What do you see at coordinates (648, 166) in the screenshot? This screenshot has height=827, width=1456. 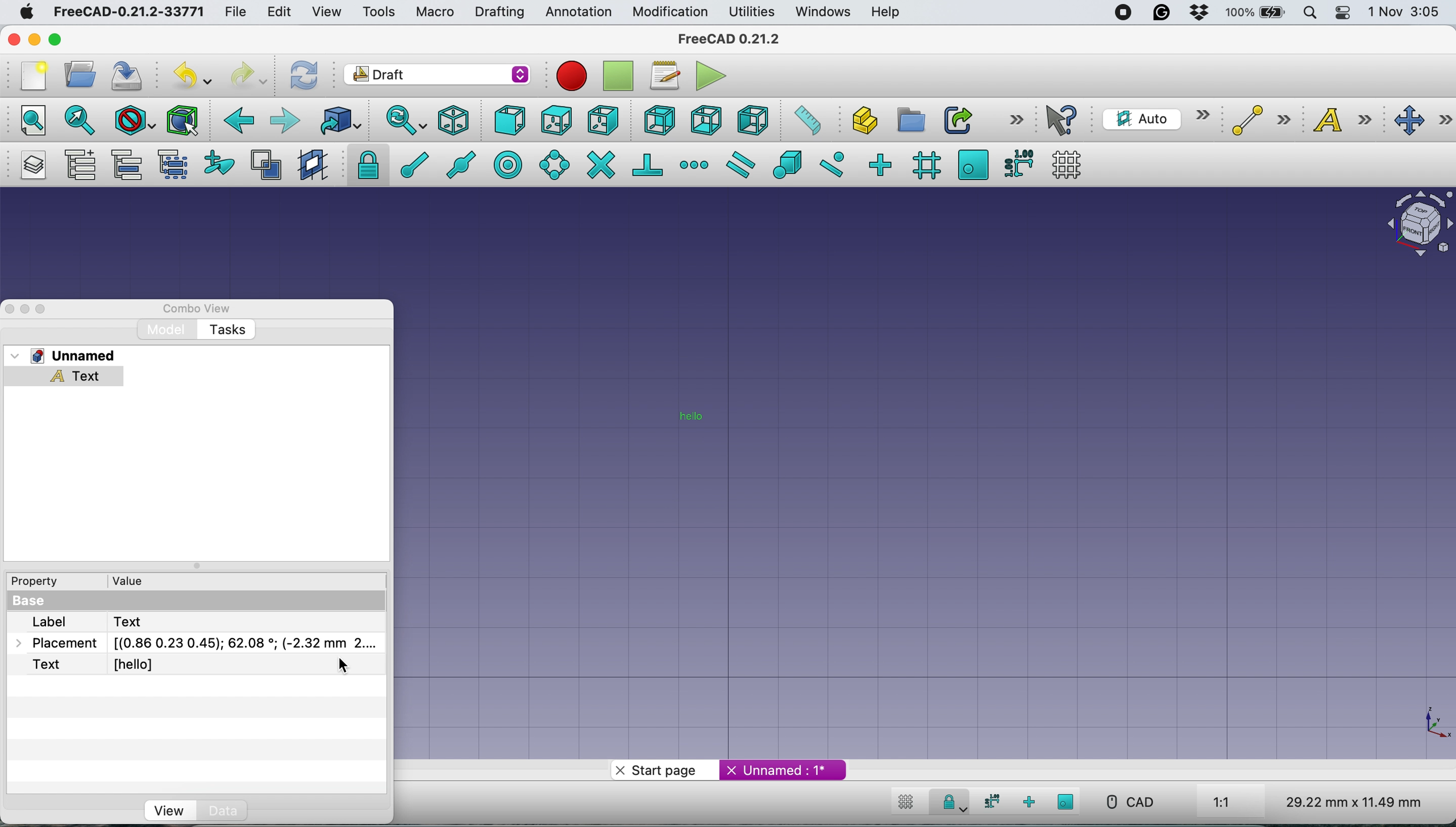 I see `snap perpendiculat` at bounding box center [648, 166].